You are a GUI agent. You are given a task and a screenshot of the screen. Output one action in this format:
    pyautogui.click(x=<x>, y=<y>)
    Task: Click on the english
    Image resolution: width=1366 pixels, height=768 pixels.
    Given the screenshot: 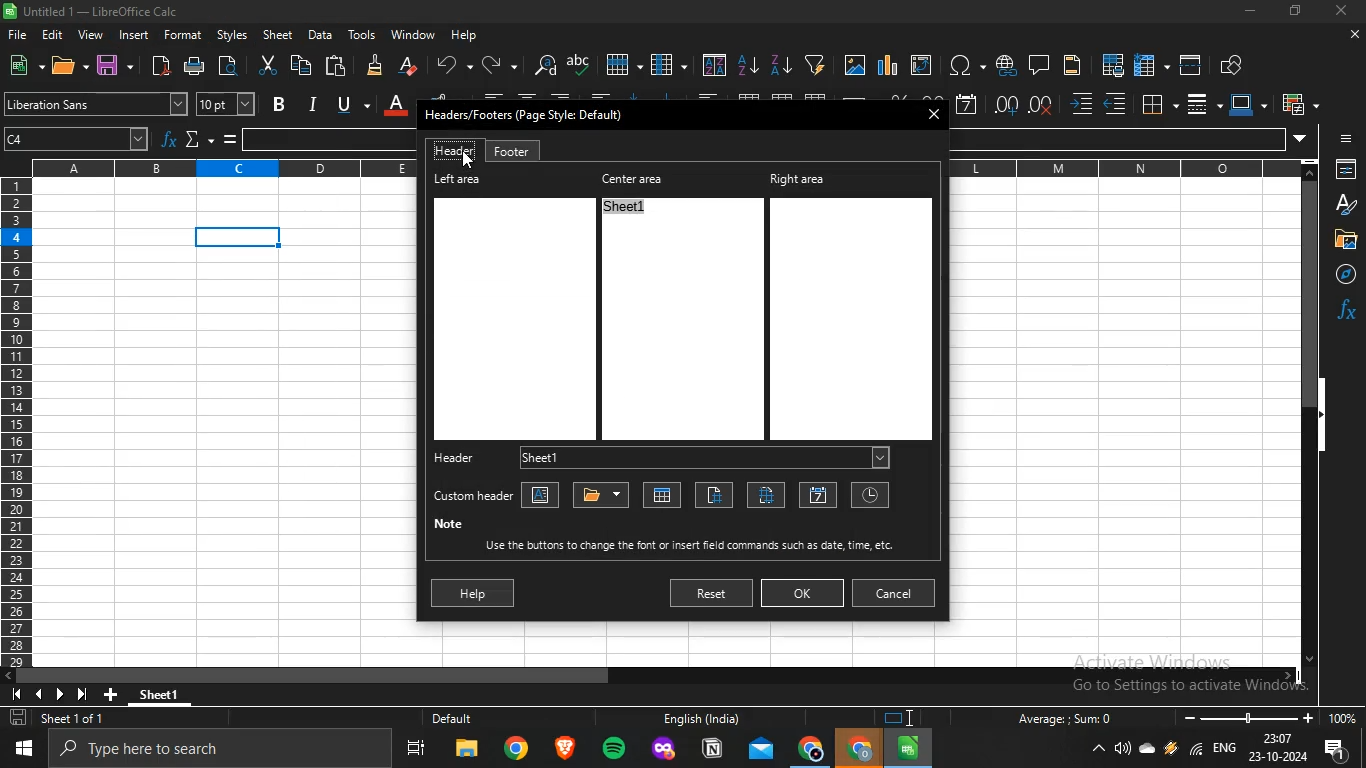 What is the action you would take?
    pyautogui.click(x=1223, y=750)
    